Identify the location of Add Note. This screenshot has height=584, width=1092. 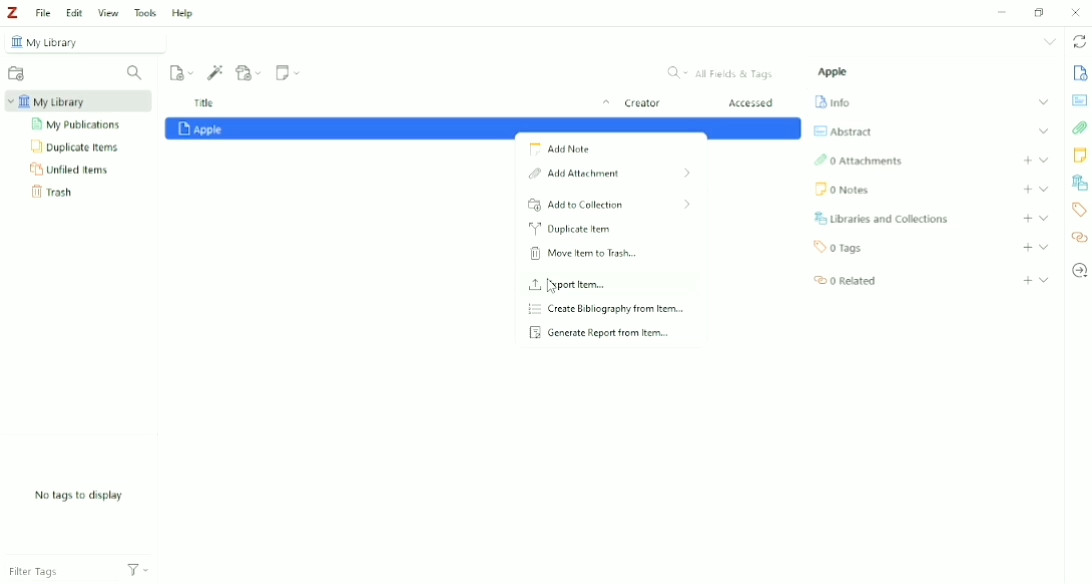
(562, 151).